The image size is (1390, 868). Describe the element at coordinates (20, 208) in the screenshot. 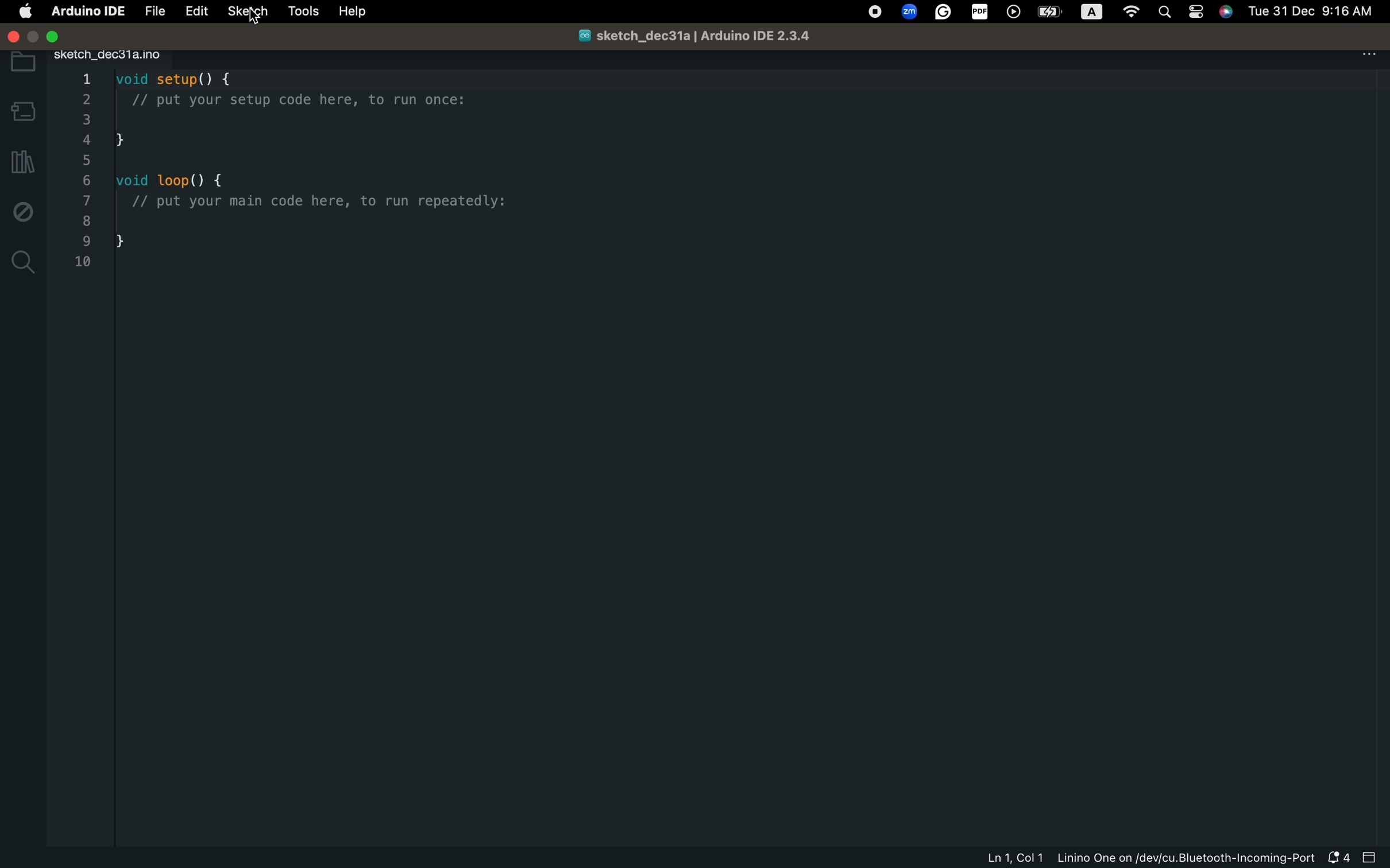

I see `debug` at that location.